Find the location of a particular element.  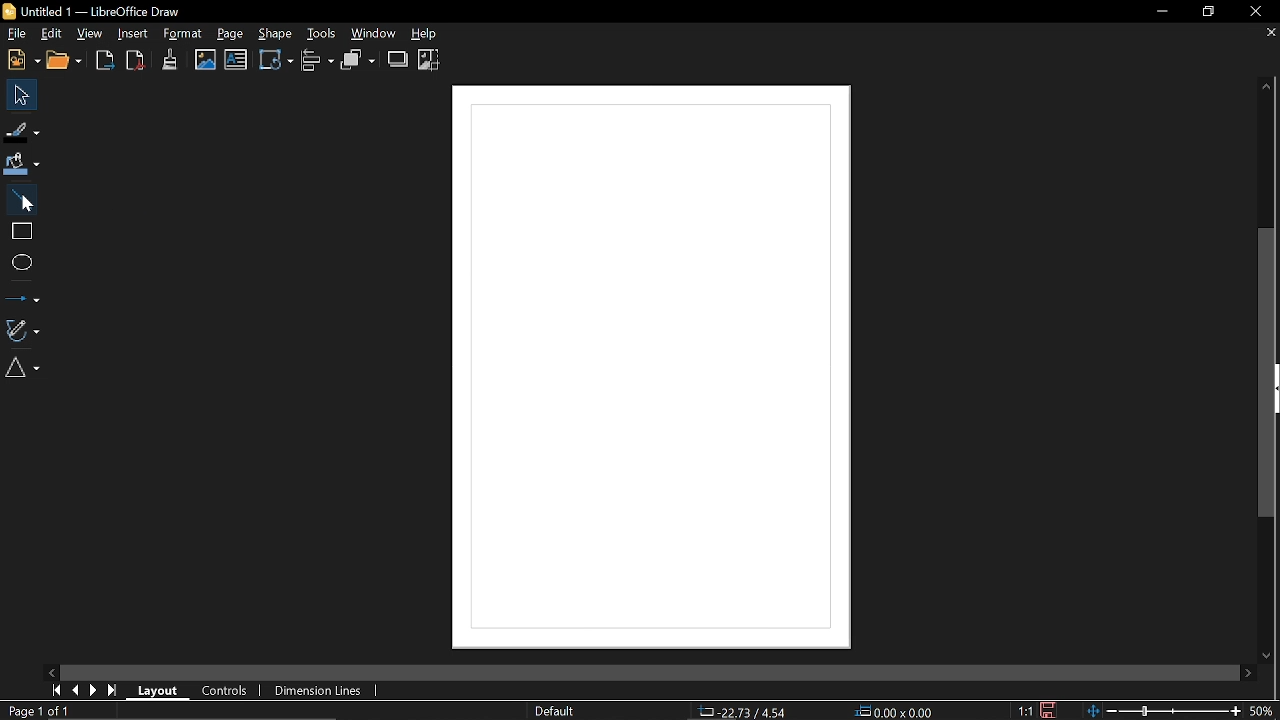

Curves and polygons is located at coordinates (23, 330).